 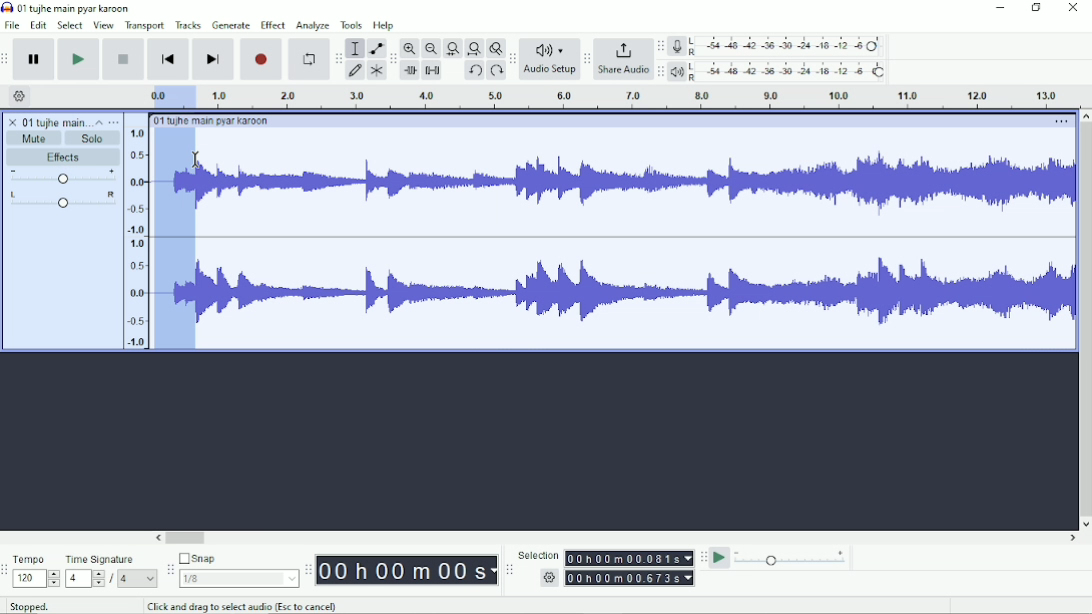 What do you see at coordinates (495, 48) in the screenshot?
I see `Zoom toggle` at bounding box center [495, 48].